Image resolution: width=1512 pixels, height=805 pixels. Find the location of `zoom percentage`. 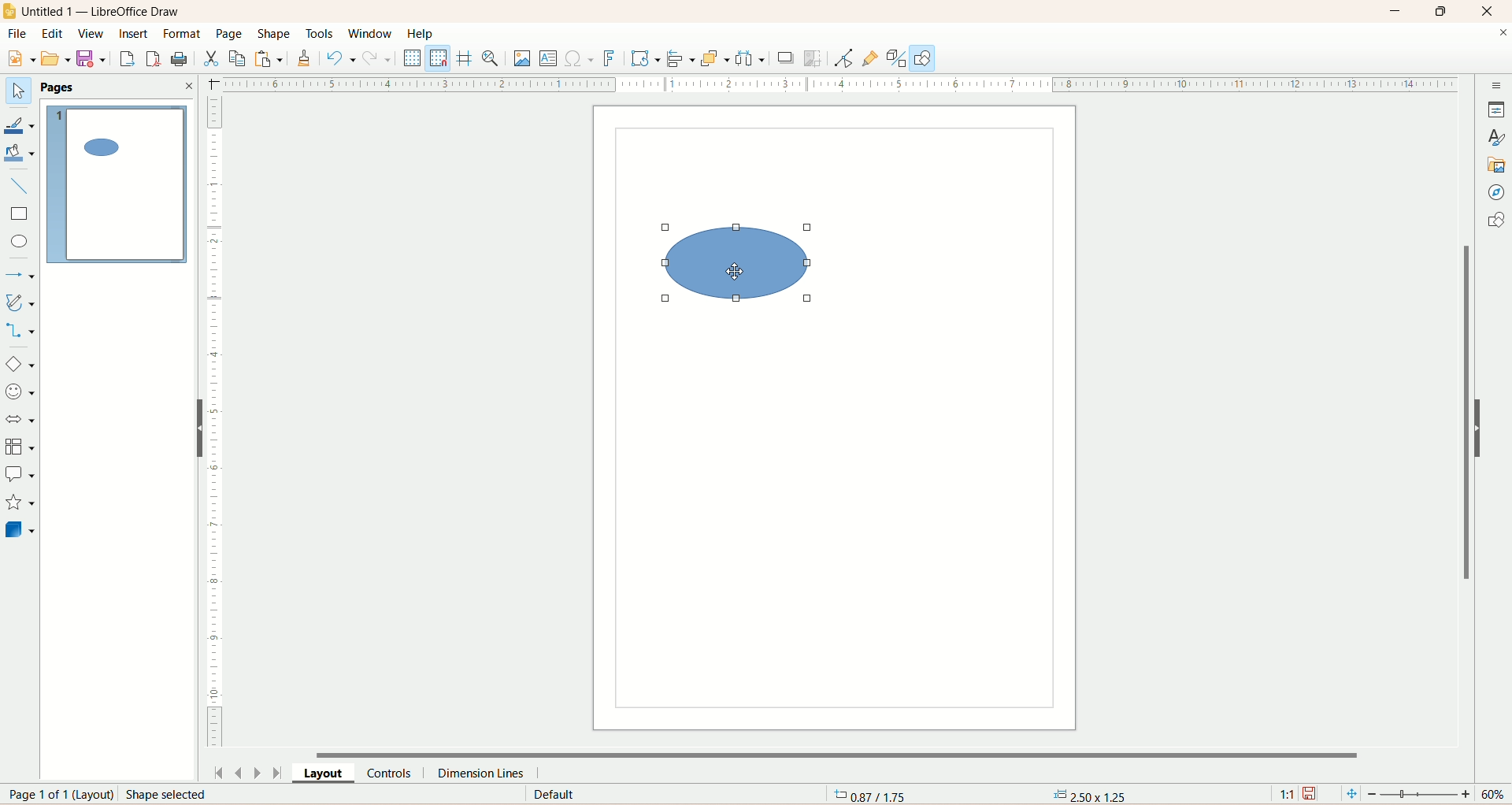

zoom percentage is located at coordinates (1496, 795).